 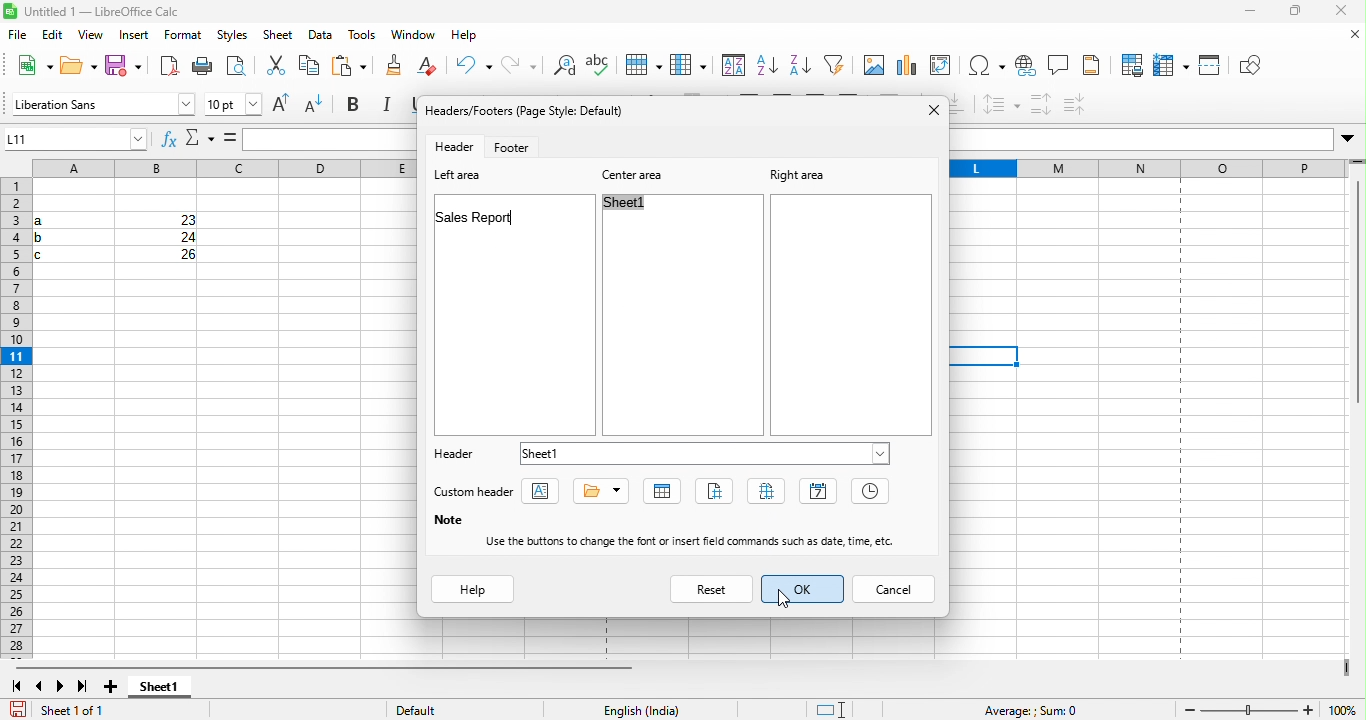 I want to click on print area, so click(x=1128, y=66).